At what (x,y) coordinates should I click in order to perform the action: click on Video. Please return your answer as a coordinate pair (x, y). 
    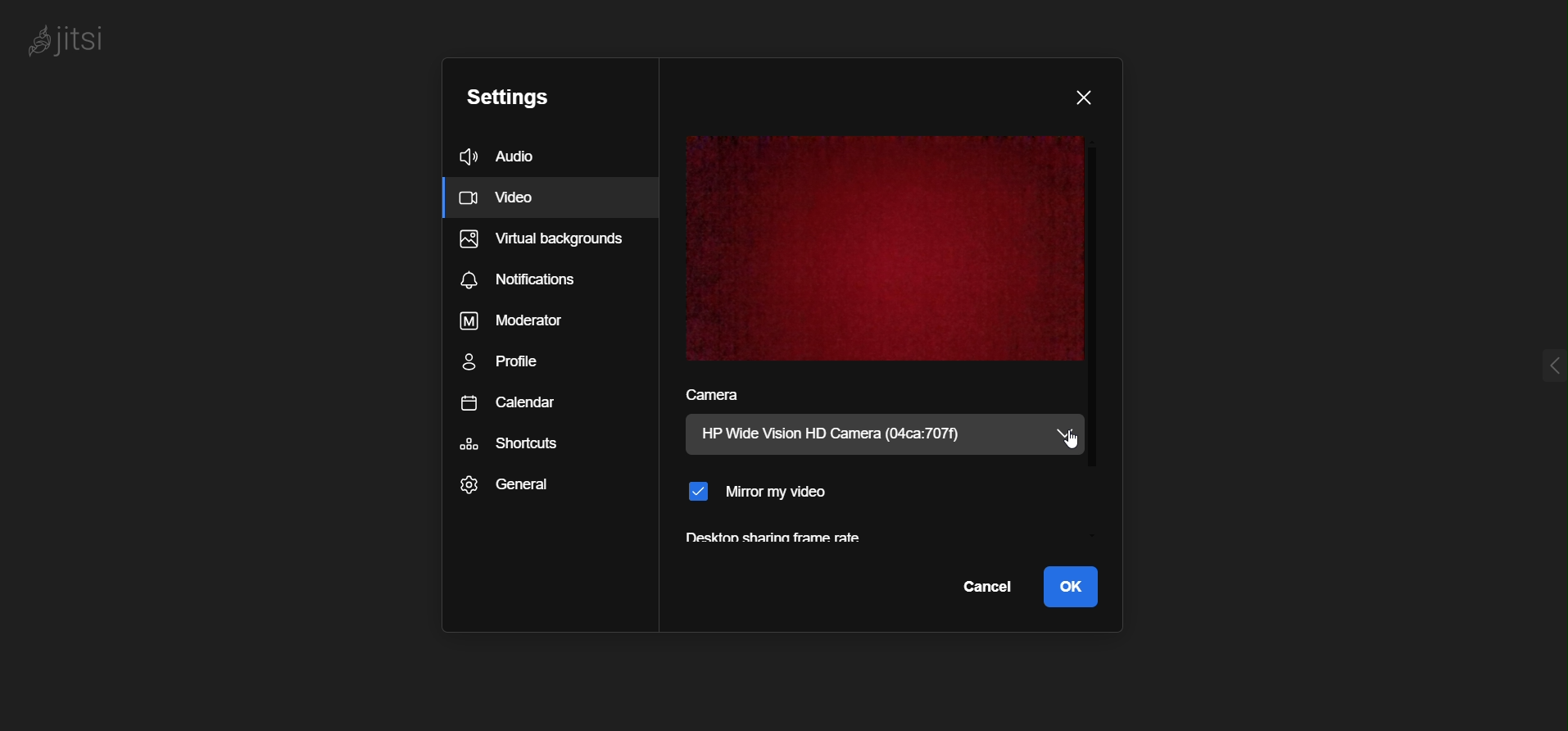
    Looking at the image, I should click on (553, 198).